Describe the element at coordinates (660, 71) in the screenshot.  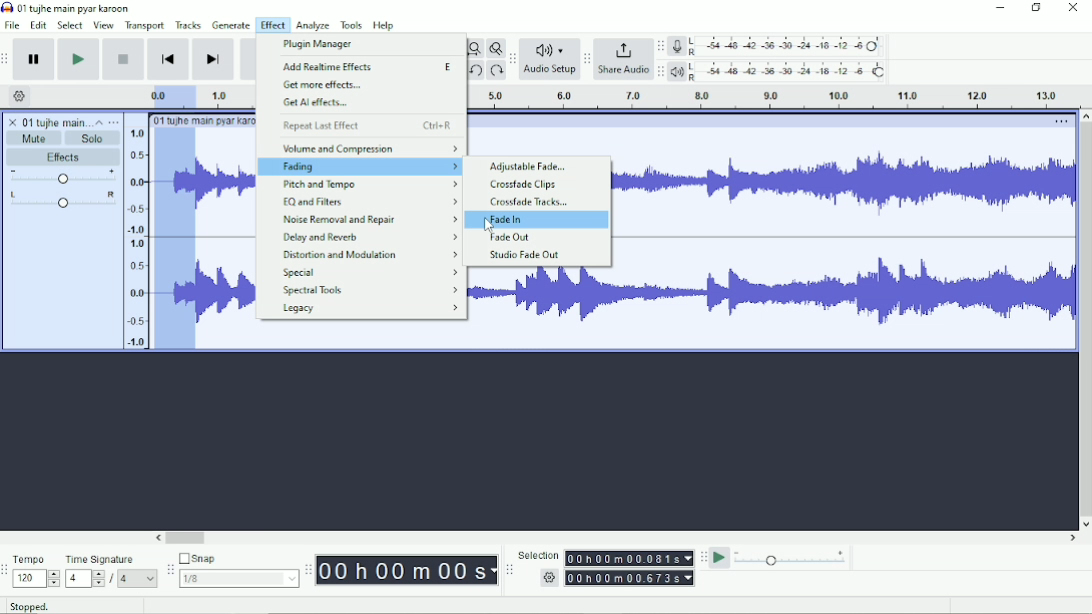
I see `Audacity playback meter toolbar` at that location.